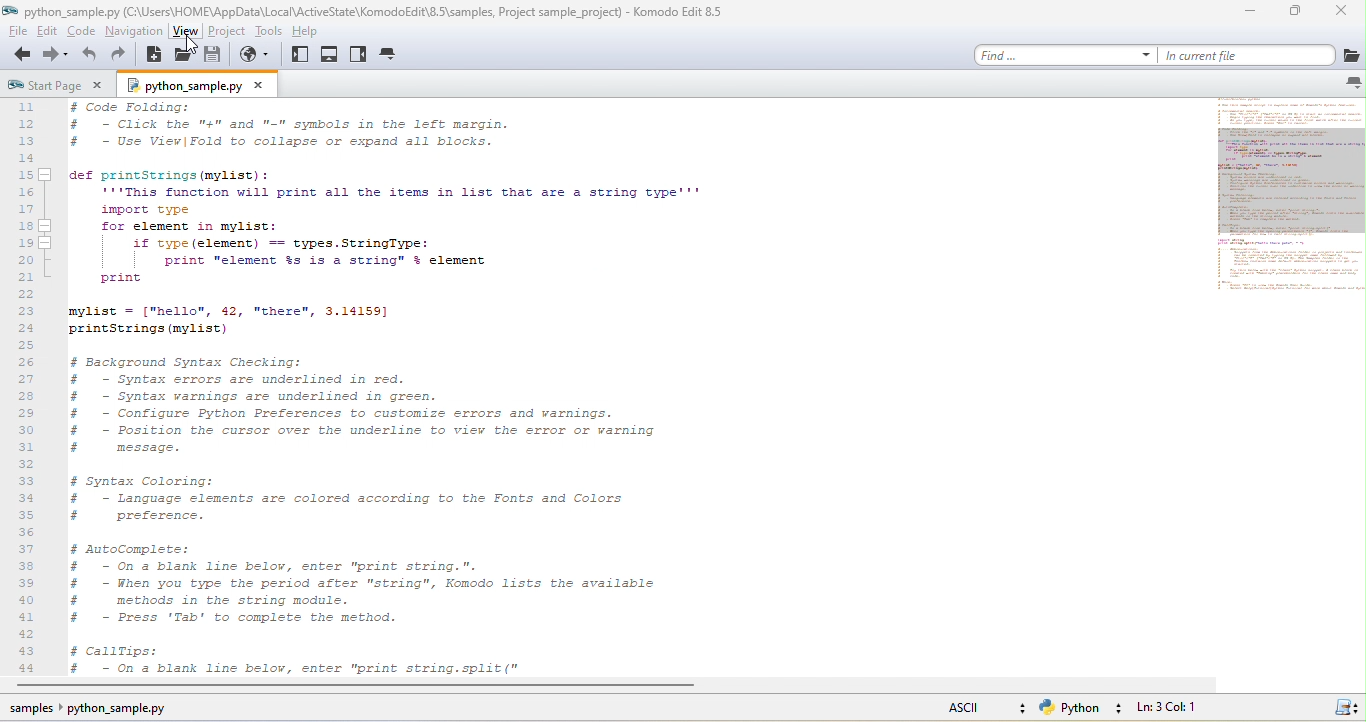 Image resolution: width=1366 pixels, height=722 pixels. Describe the element at coordinates (198, 88) in the screenshot. I see `python sample` at that location.